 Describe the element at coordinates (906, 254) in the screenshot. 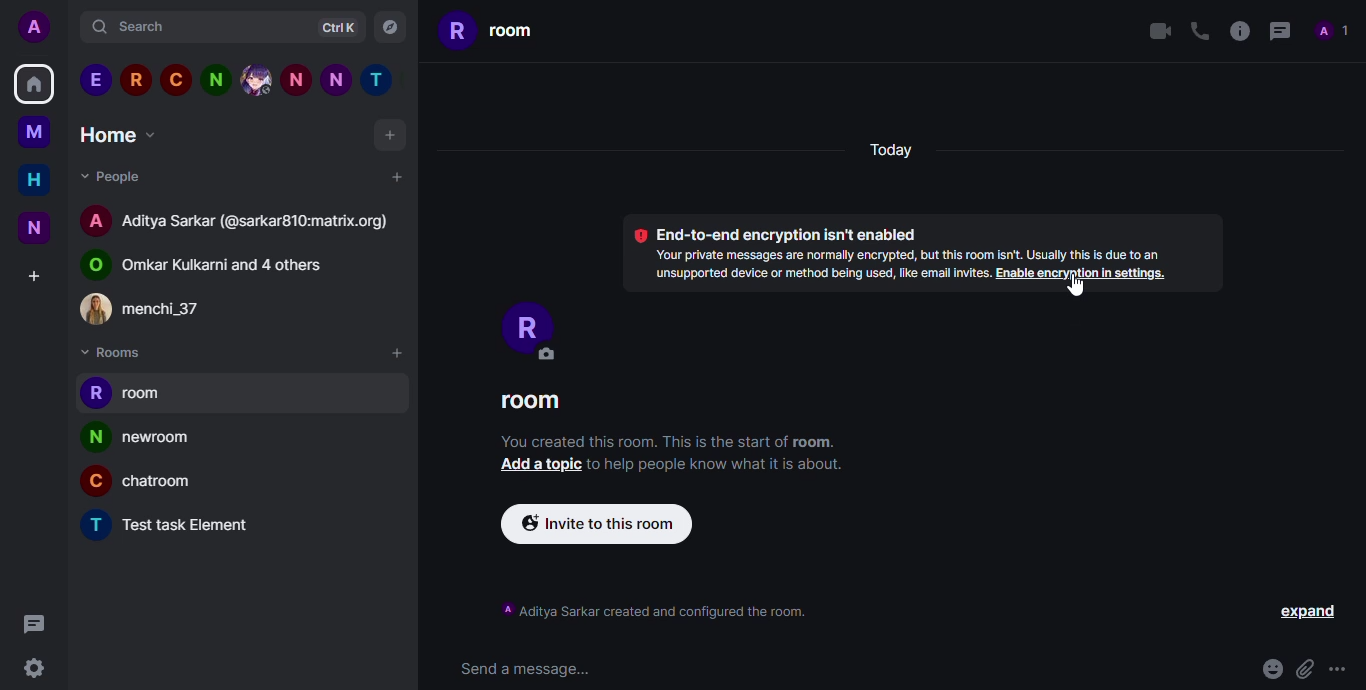

I see `info- your private message are normally encrypted.` at that location.